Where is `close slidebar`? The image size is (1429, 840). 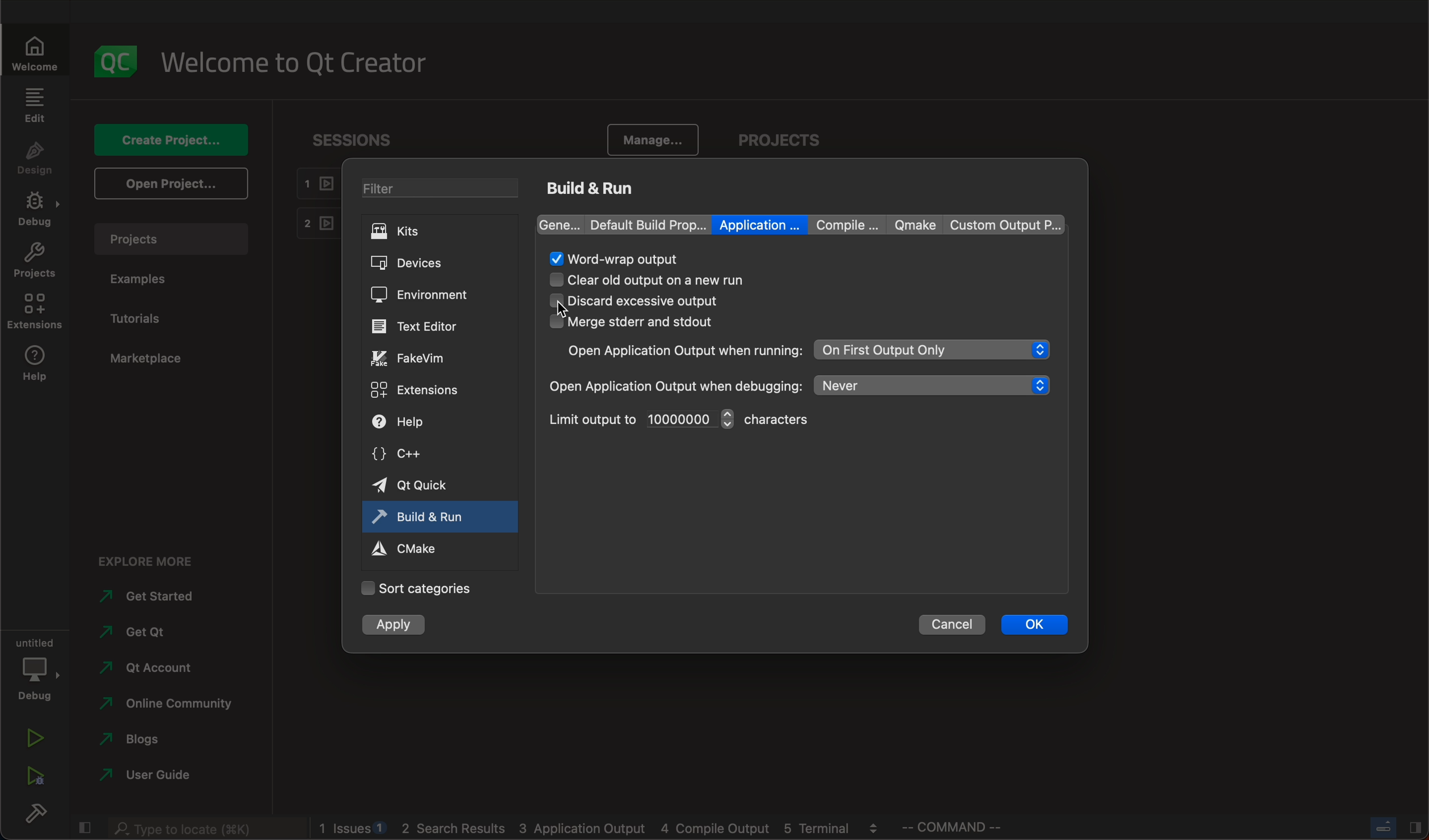
close slidebar is located at coordinates (84, 827).